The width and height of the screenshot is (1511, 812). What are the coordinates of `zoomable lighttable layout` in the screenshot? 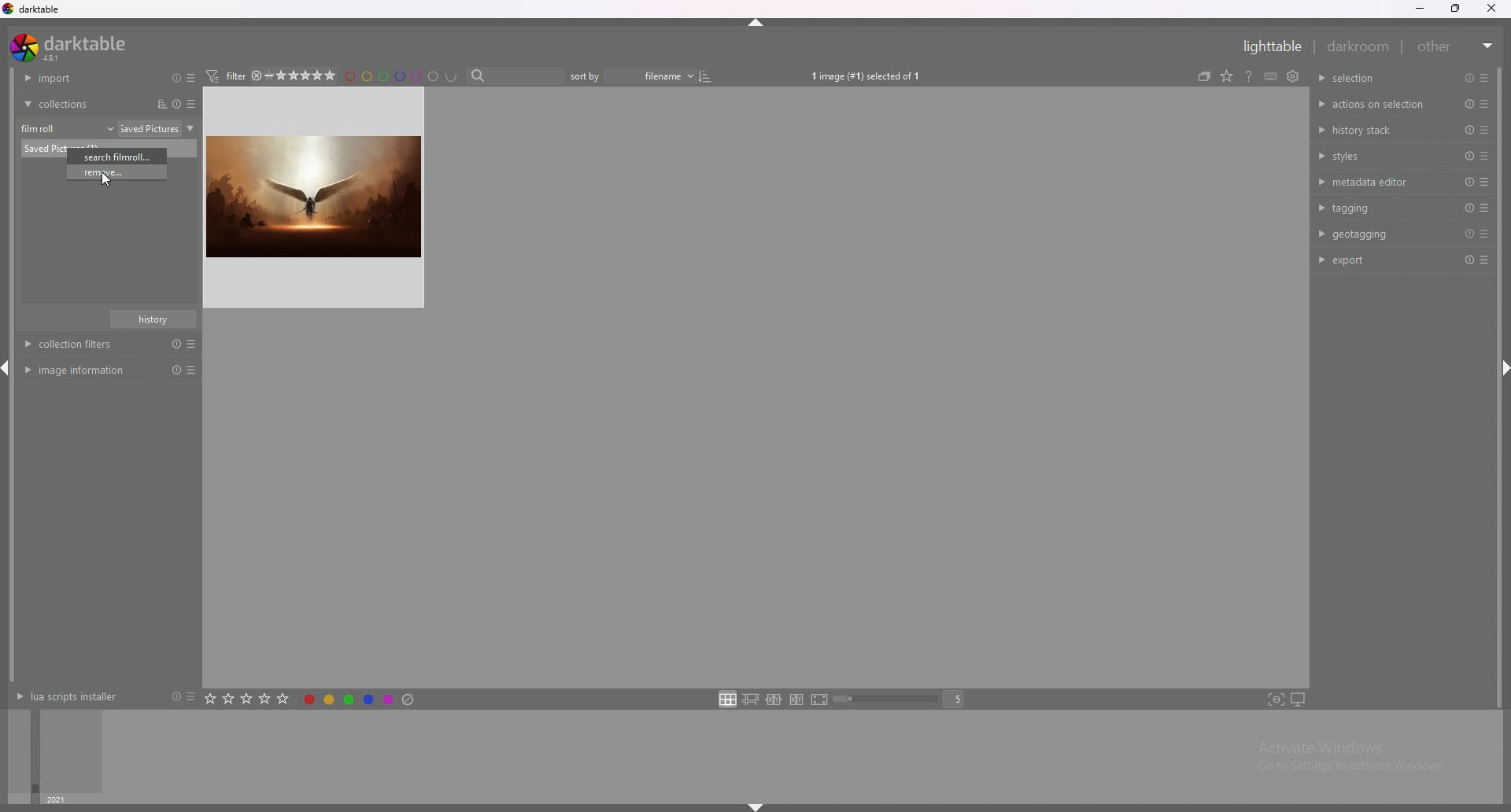 It's located at (750, 699).